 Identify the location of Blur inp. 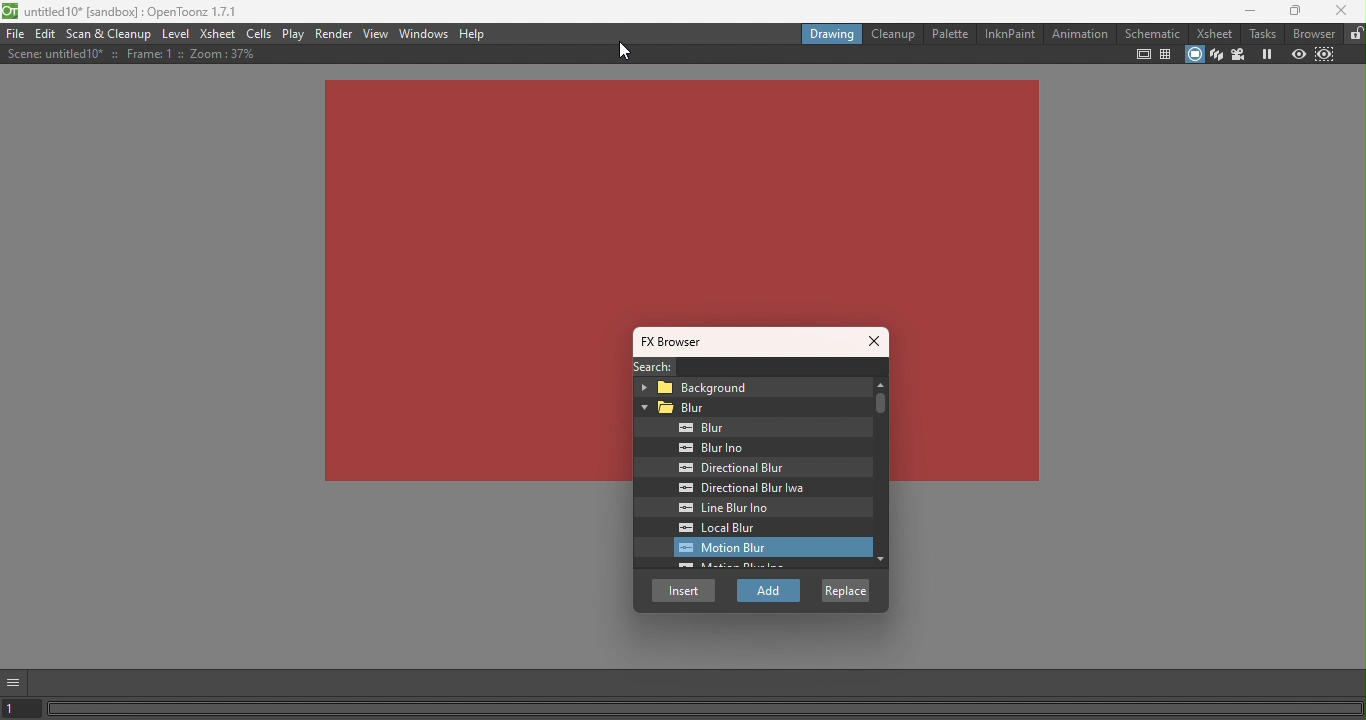
(714, 448).